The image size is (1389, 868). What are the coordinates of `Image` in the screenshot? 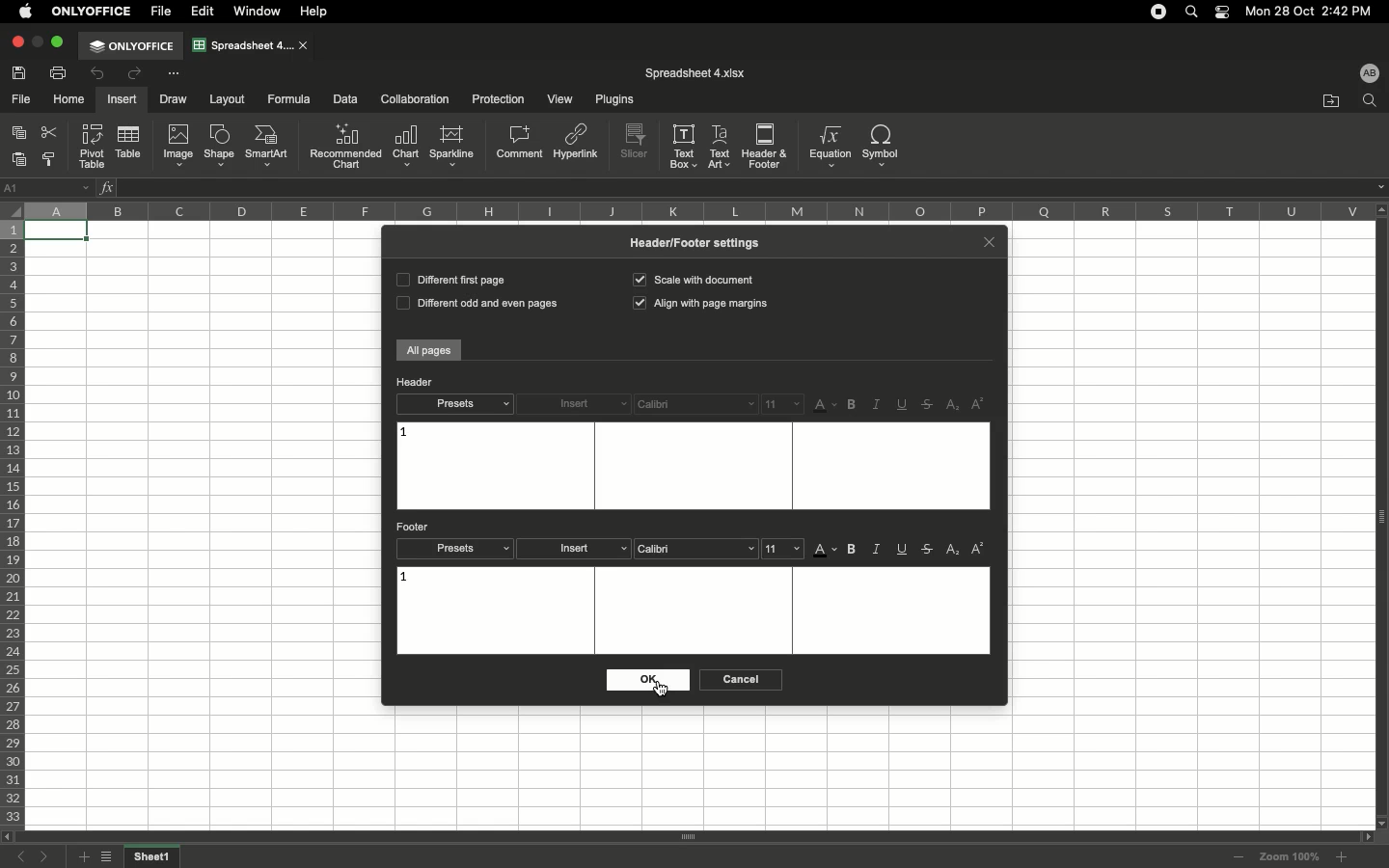 It's located at (178, 146).